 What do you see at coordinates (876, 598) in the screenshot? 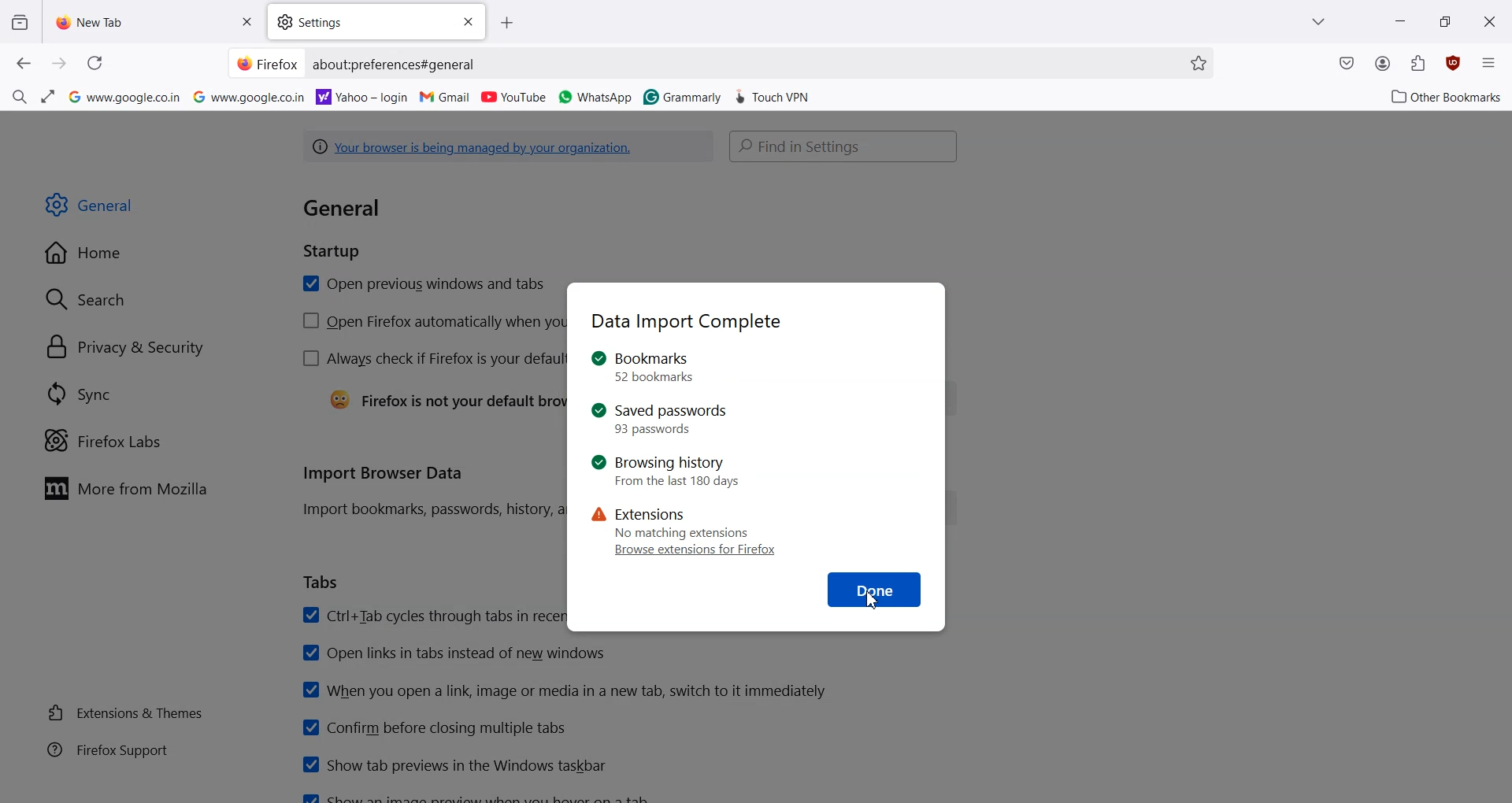
I see `Cursor` at bounding box center [876, 598].